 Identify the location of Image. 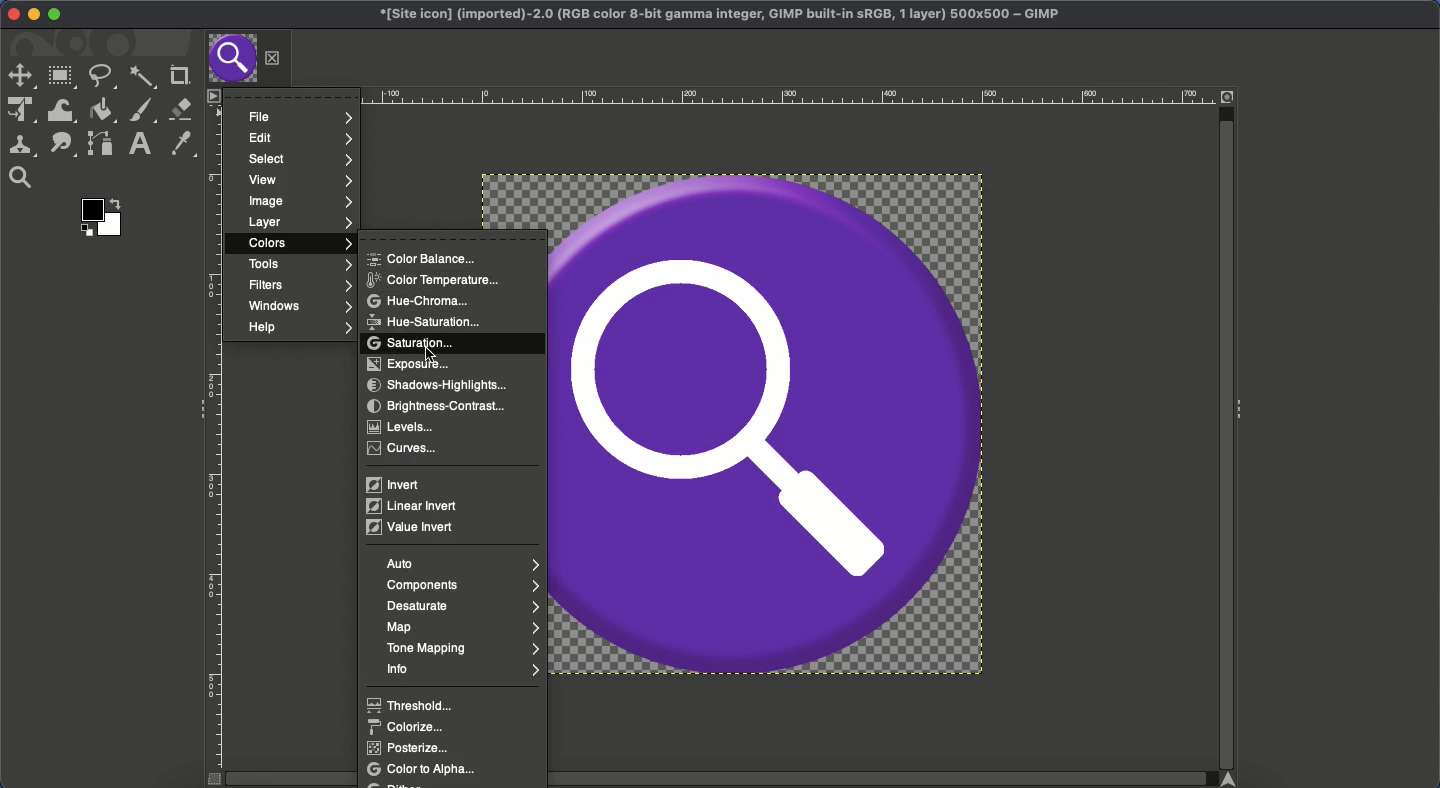
(300, 202).